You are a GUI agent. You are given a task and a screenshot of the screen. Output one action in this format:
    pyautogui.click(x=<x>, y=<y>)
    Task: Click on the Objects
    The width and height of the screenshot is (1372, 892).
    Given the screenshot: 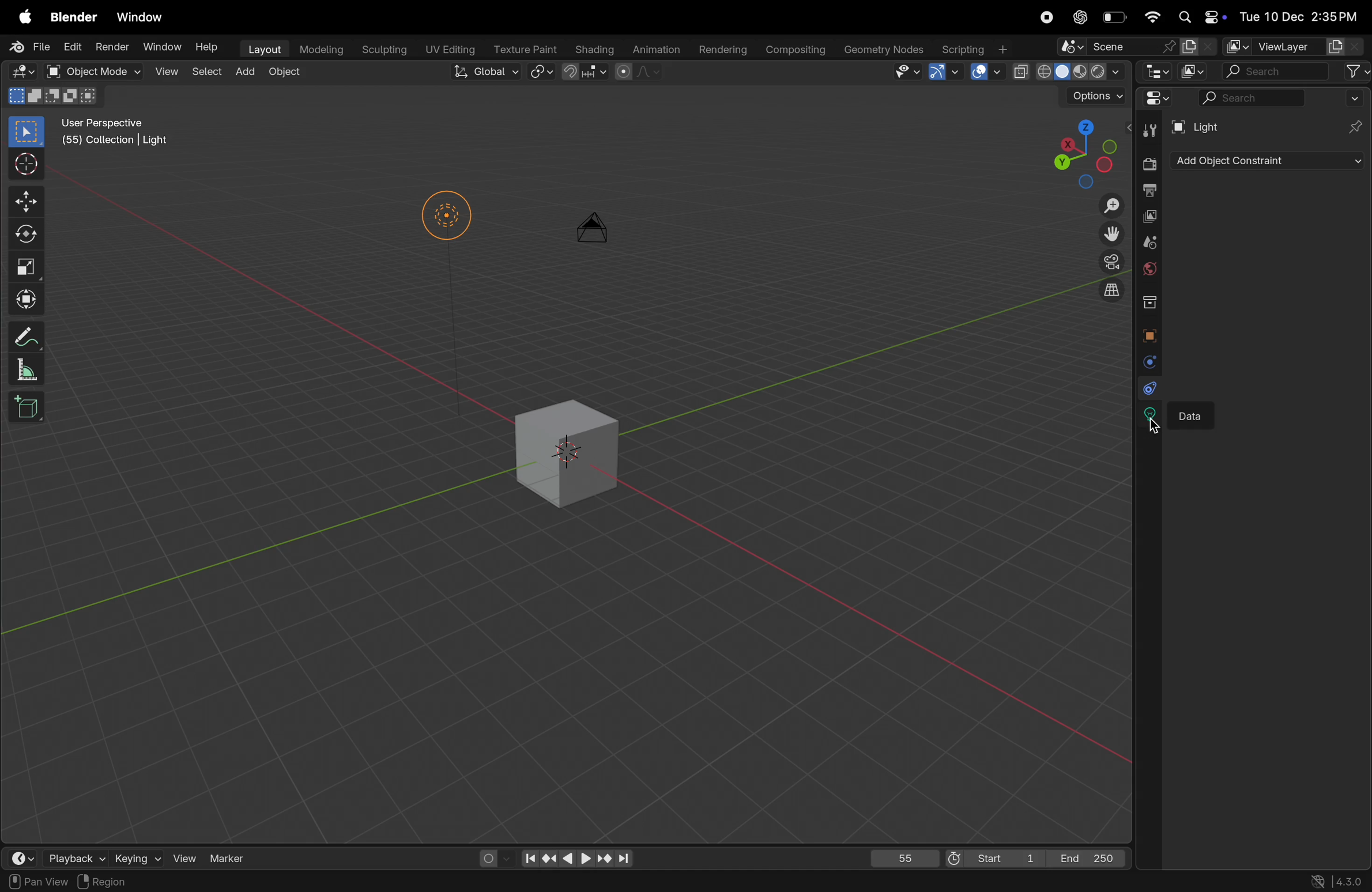 What is the action you would take?
    pyautogui.click(x=172, y=881)
    